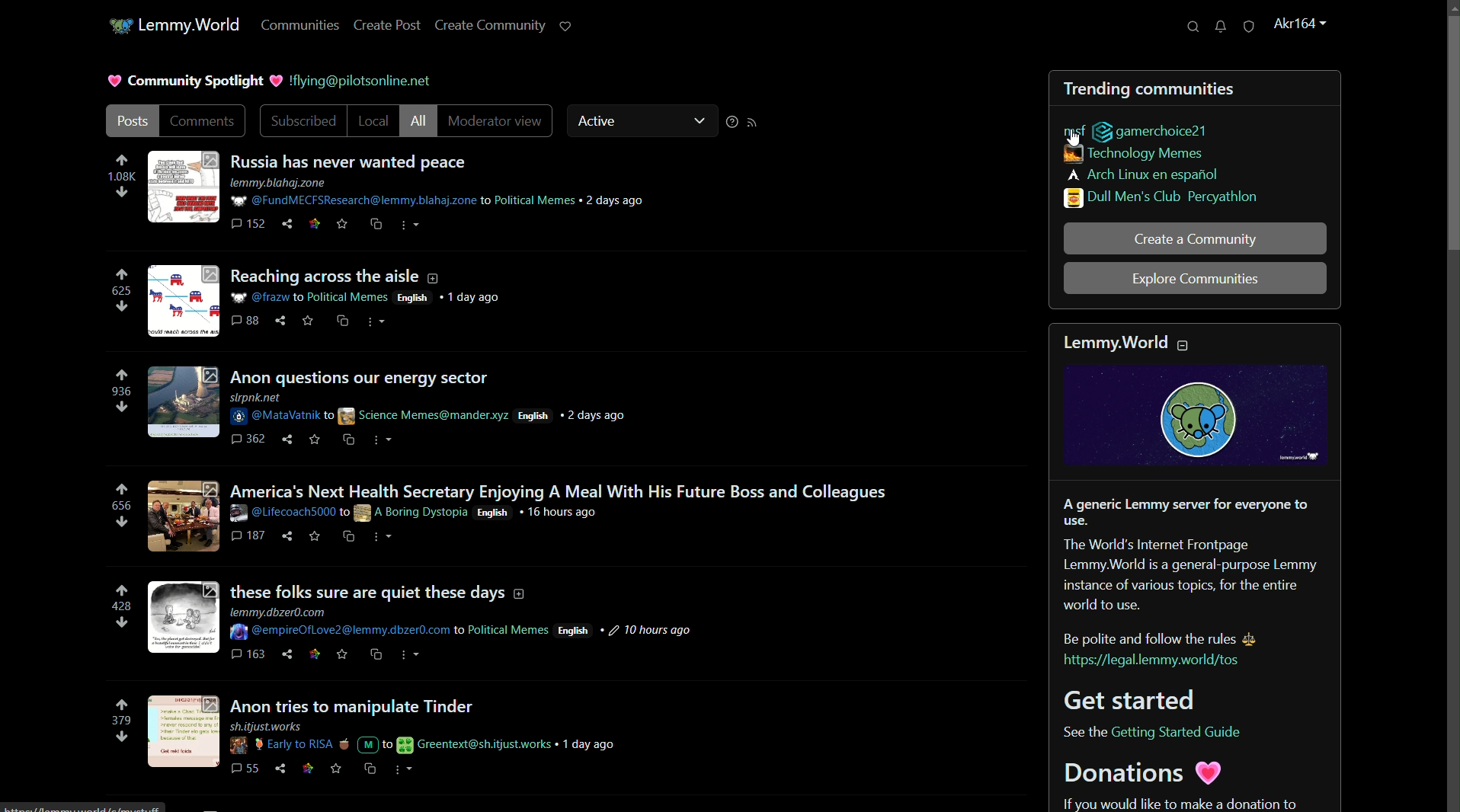  I want to click on number of votes, so click(120, 290).